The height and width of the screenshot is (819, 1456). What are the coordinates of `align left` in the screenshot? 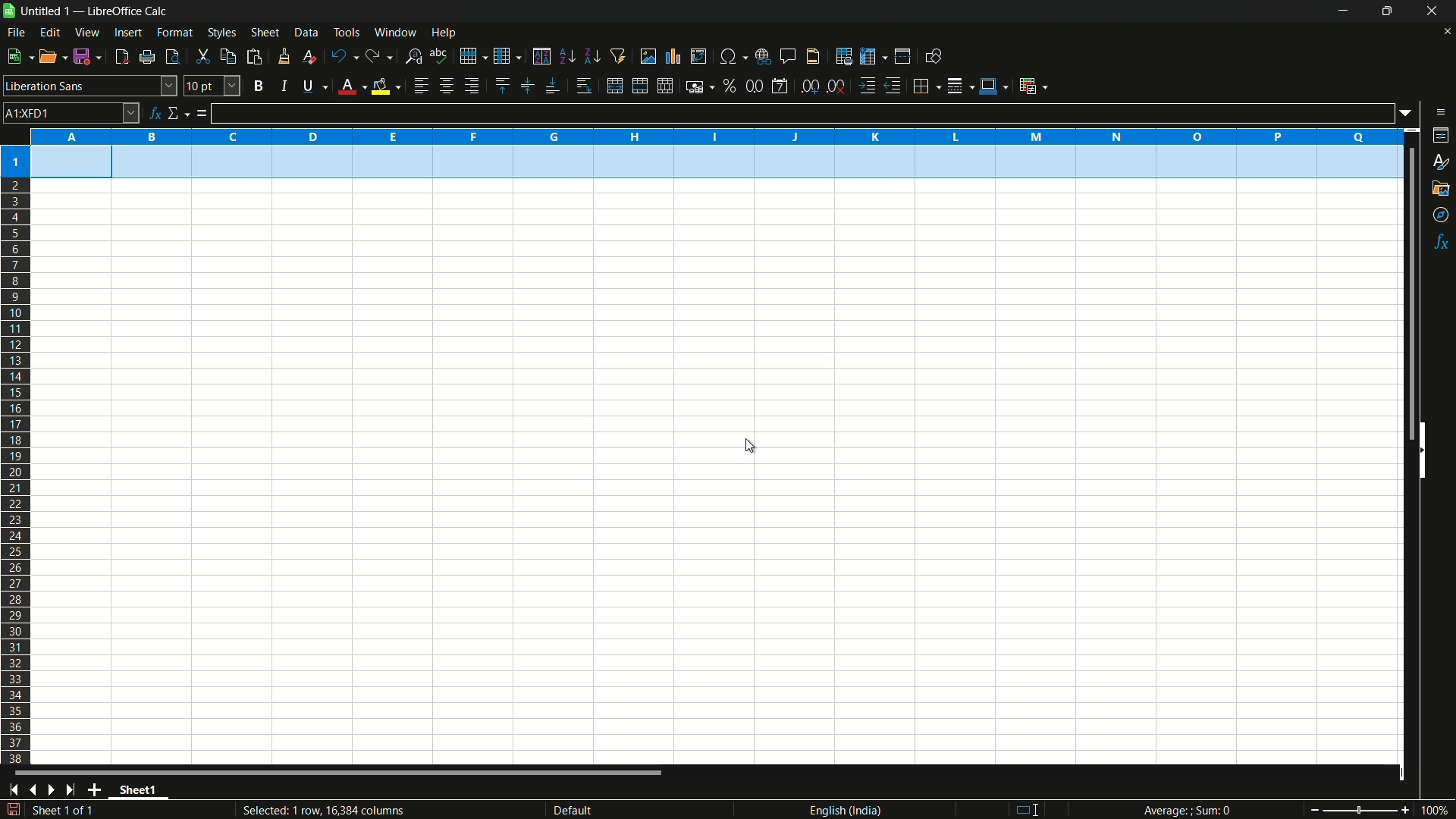 It's located at (420, 86).